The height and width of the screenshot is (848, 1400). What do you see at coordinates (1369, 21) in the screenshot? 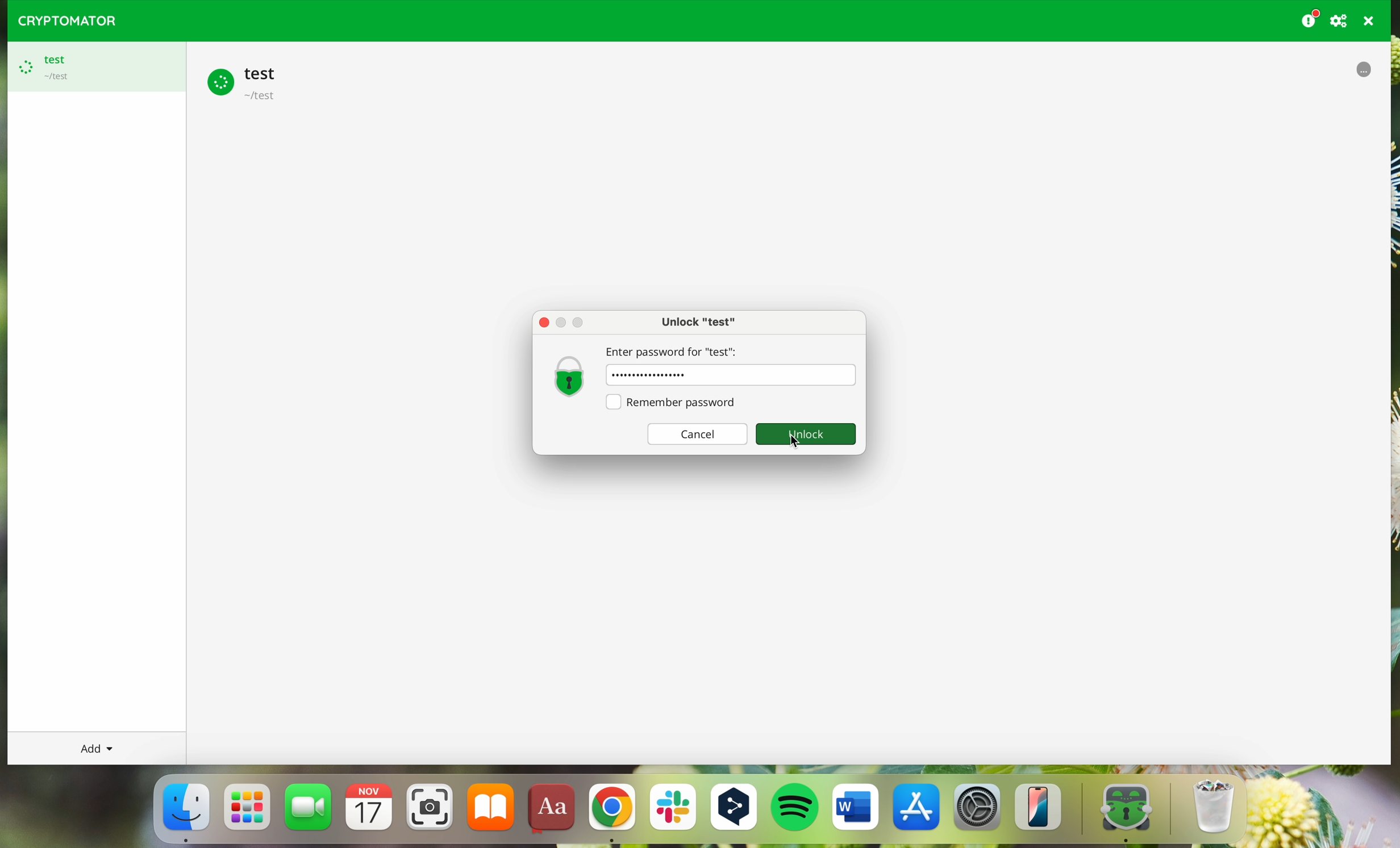
I see `quit program` at bounding box center [1369, 21].